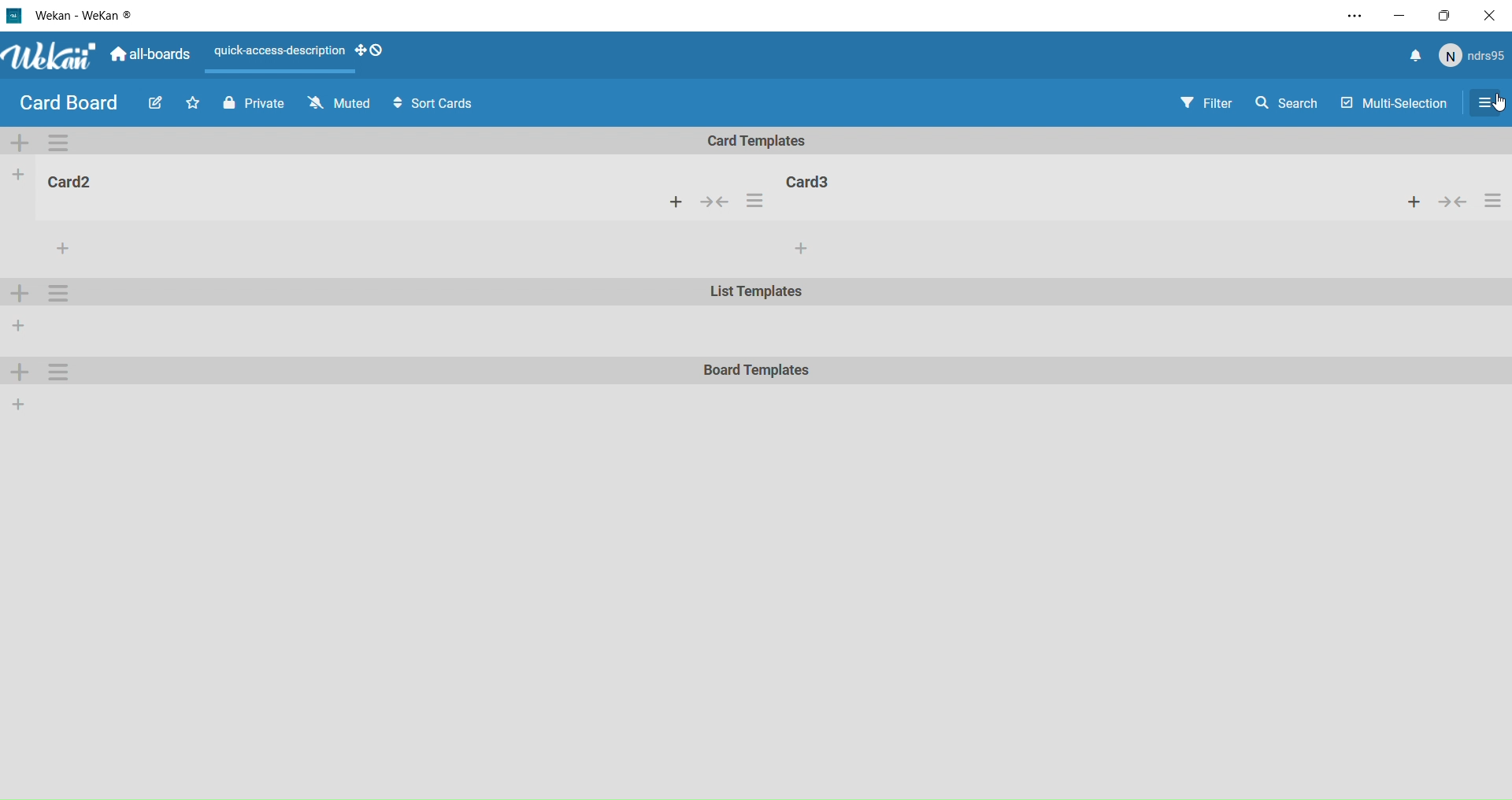 The width and height of the screenshot is (1512, 800). Describe the element at coordinates (17, 291) in the screenshot. I see `` at that location.